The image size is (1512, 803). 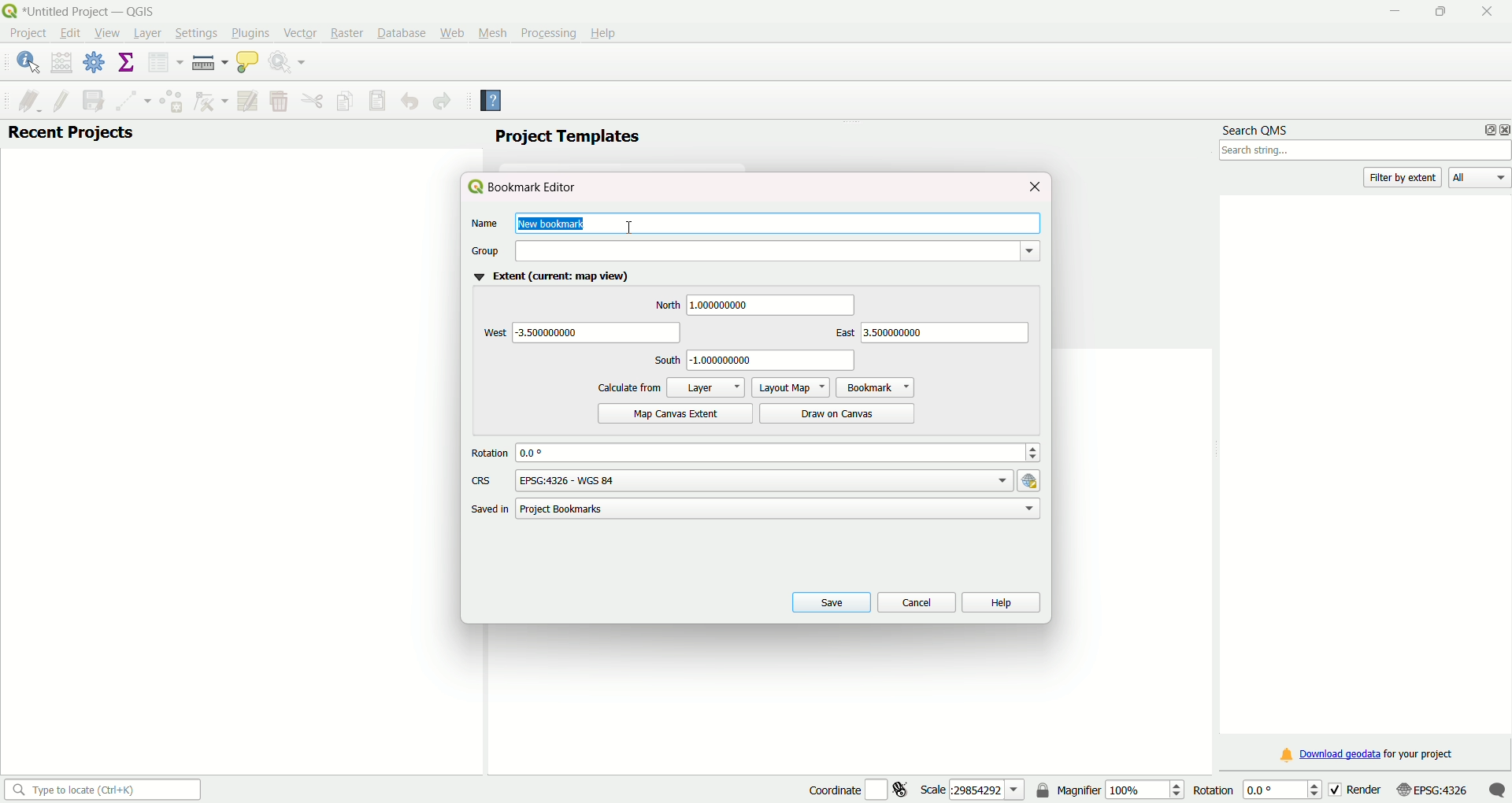 What do you see at coordinates (839, 413) in the screenshot?
I see `draw on canvas` at bounding box center [839, 413].